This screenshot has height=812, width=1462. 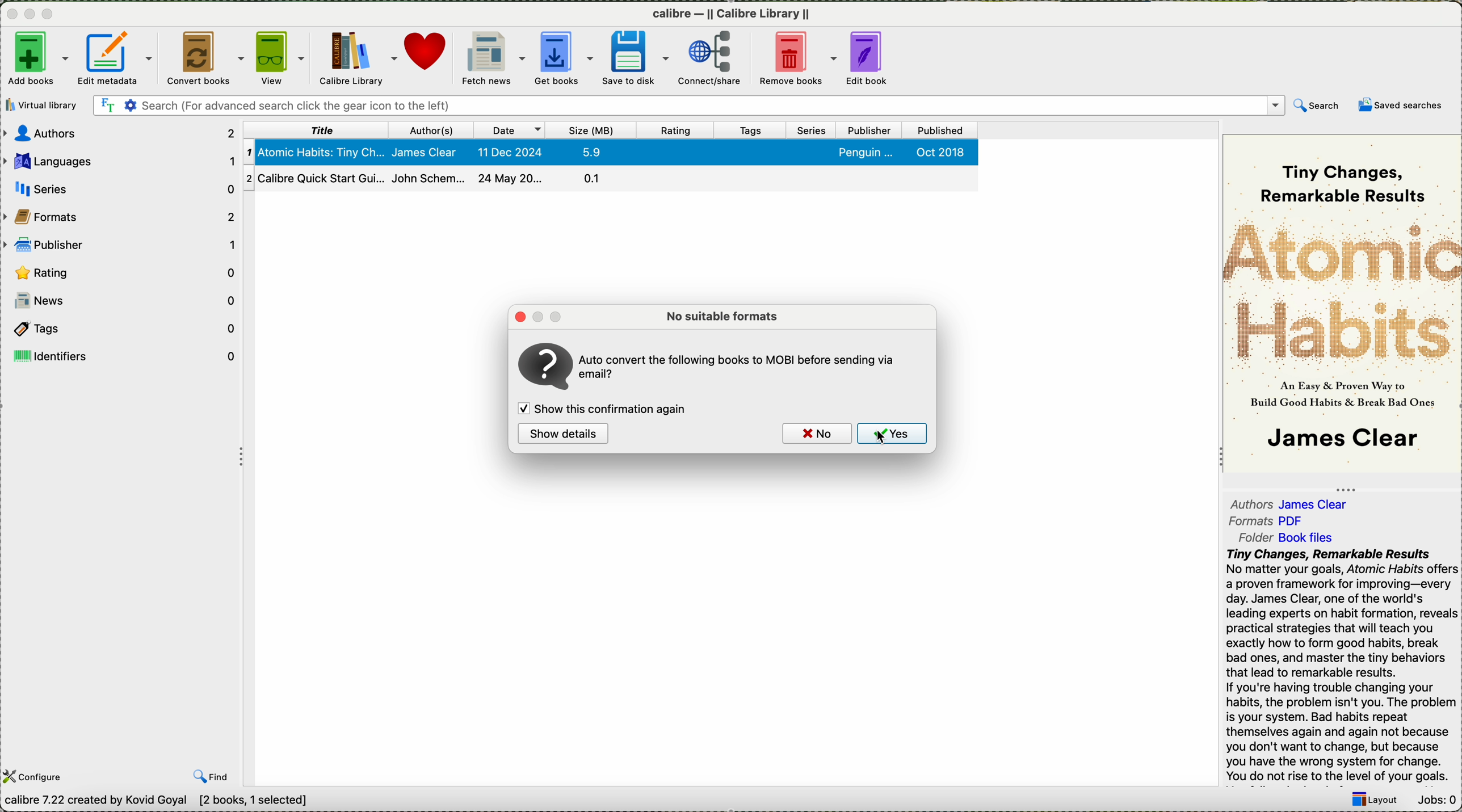 What do you see at coordinates (893, 435) in the screenshot?
I see `click on yes` at bounding box center [893, 435].